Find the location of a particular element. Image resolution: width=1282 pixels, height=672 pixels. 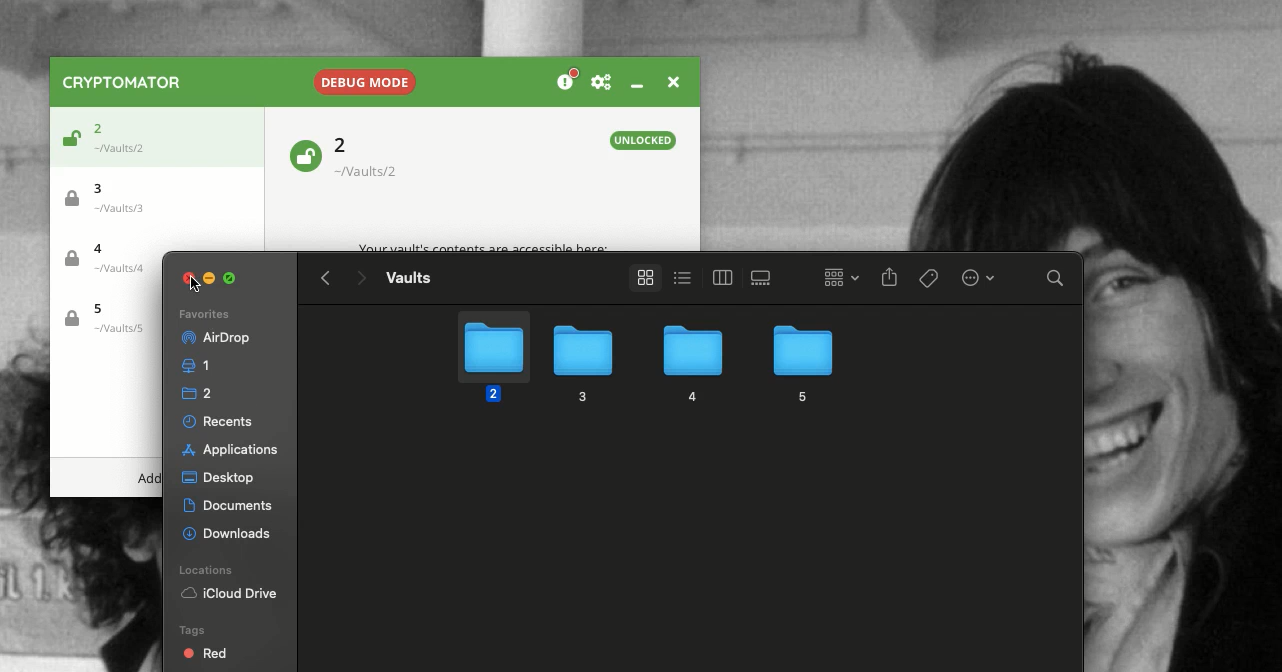

View 1 is located at coordinates (680, 276).